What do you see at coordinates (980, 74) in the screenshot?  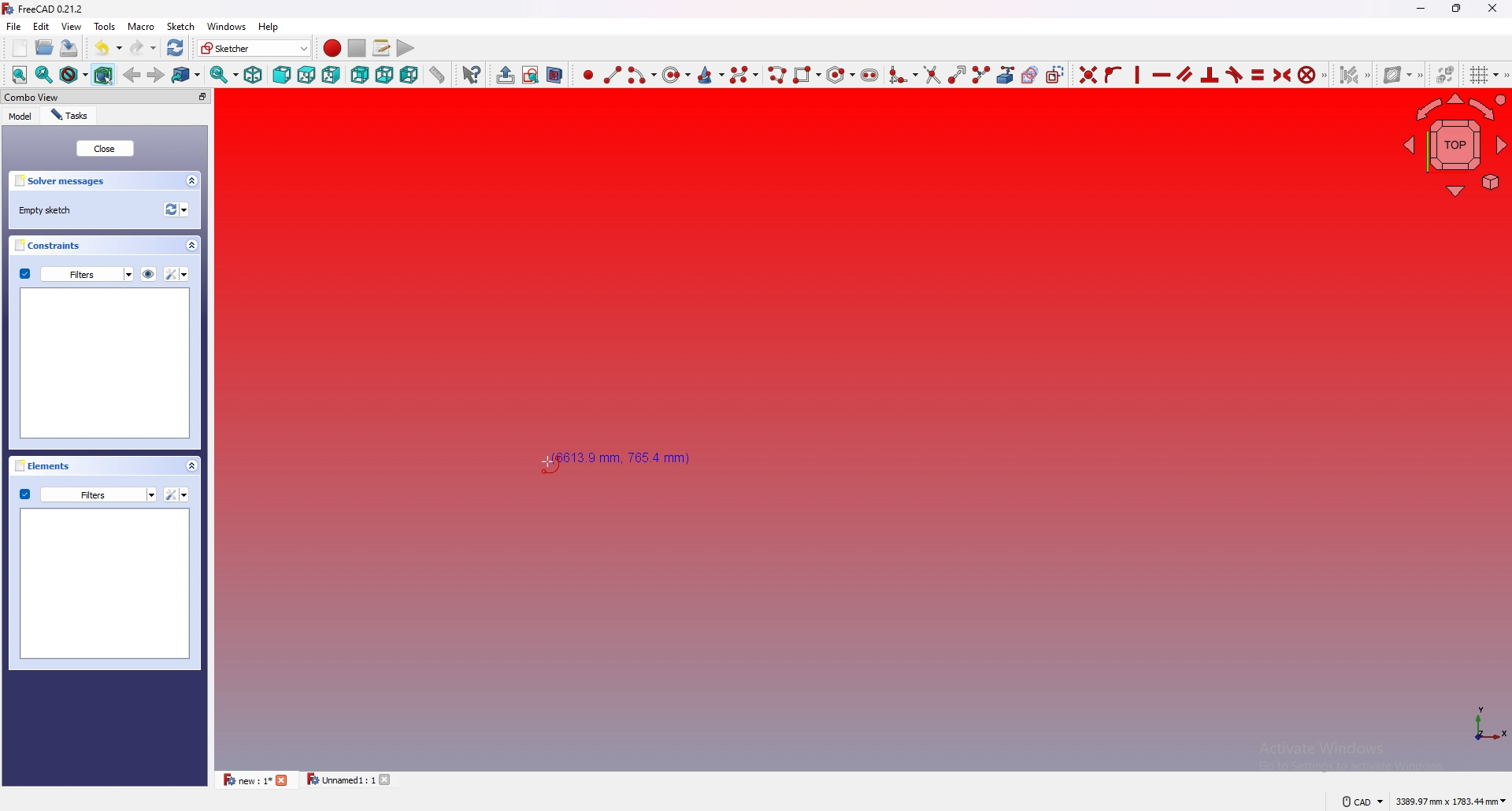 I see `split edge` at bounding box center [980, 74].